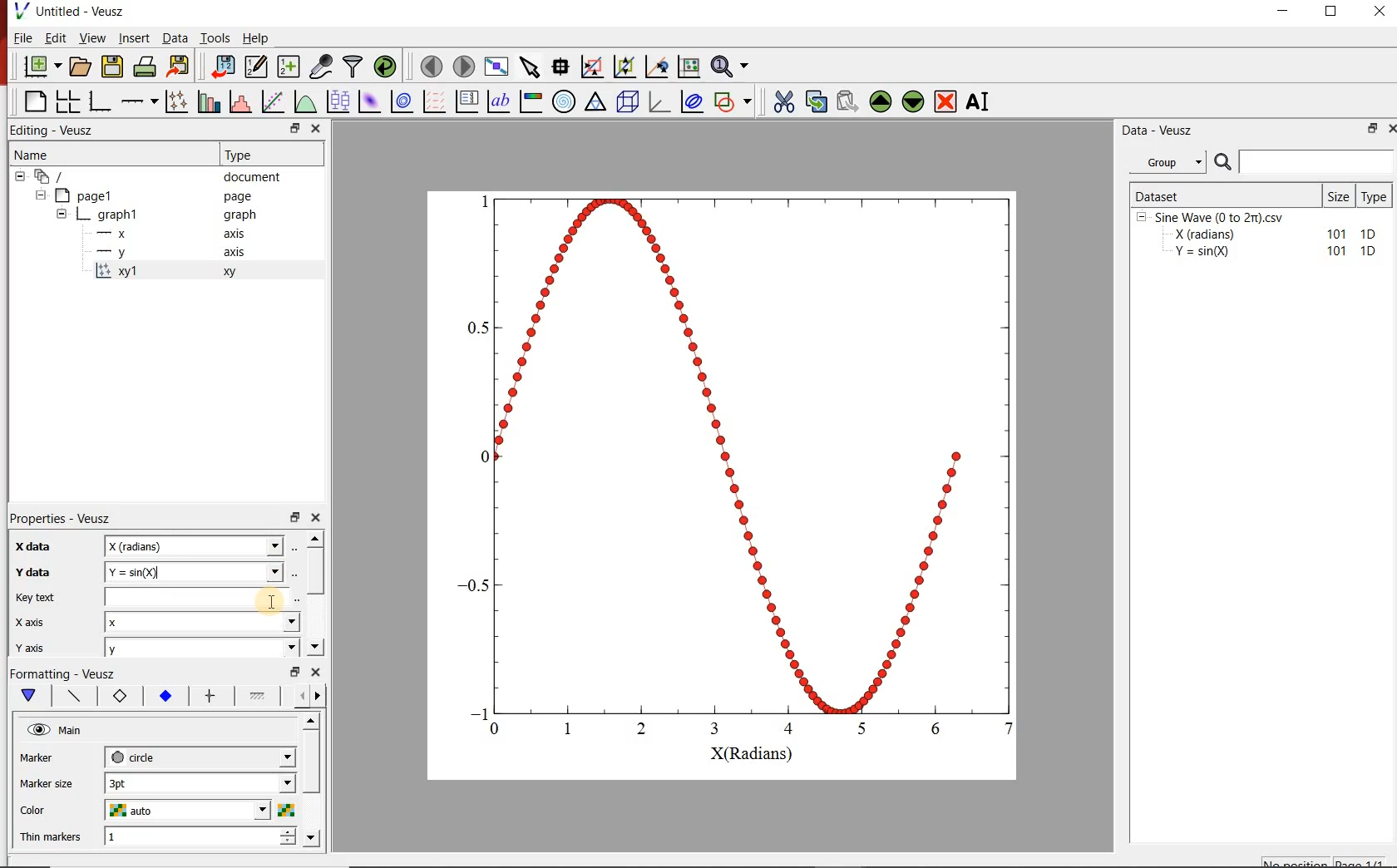 Image resolution: width=1397 pixels, height=868 pixels. What do you see at coordinates (531, 101) in the screenshot?
I see `image color bar` at bounding box center [531, 101].